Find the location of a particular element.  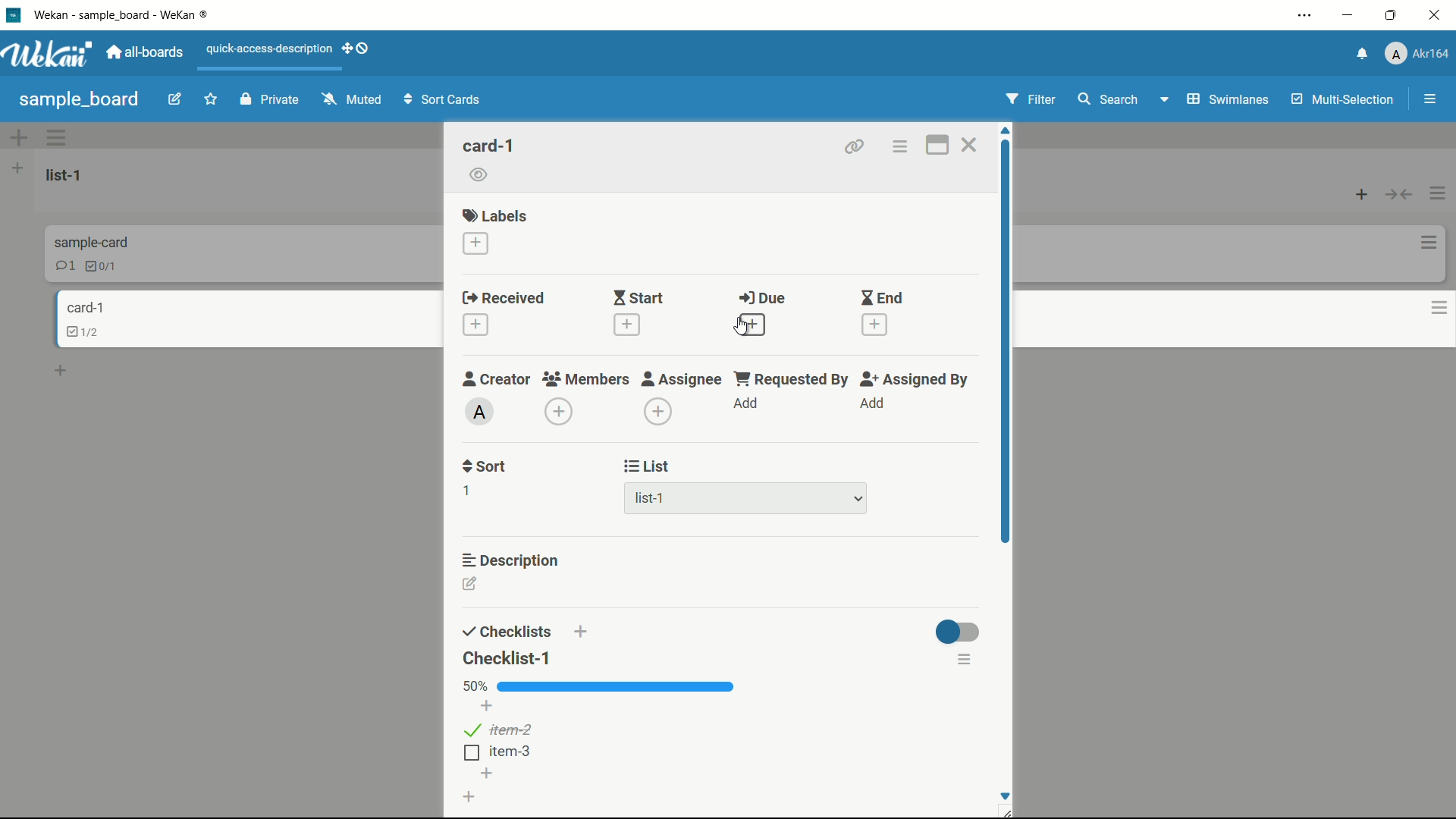

received is located at coordinates (504, 297).